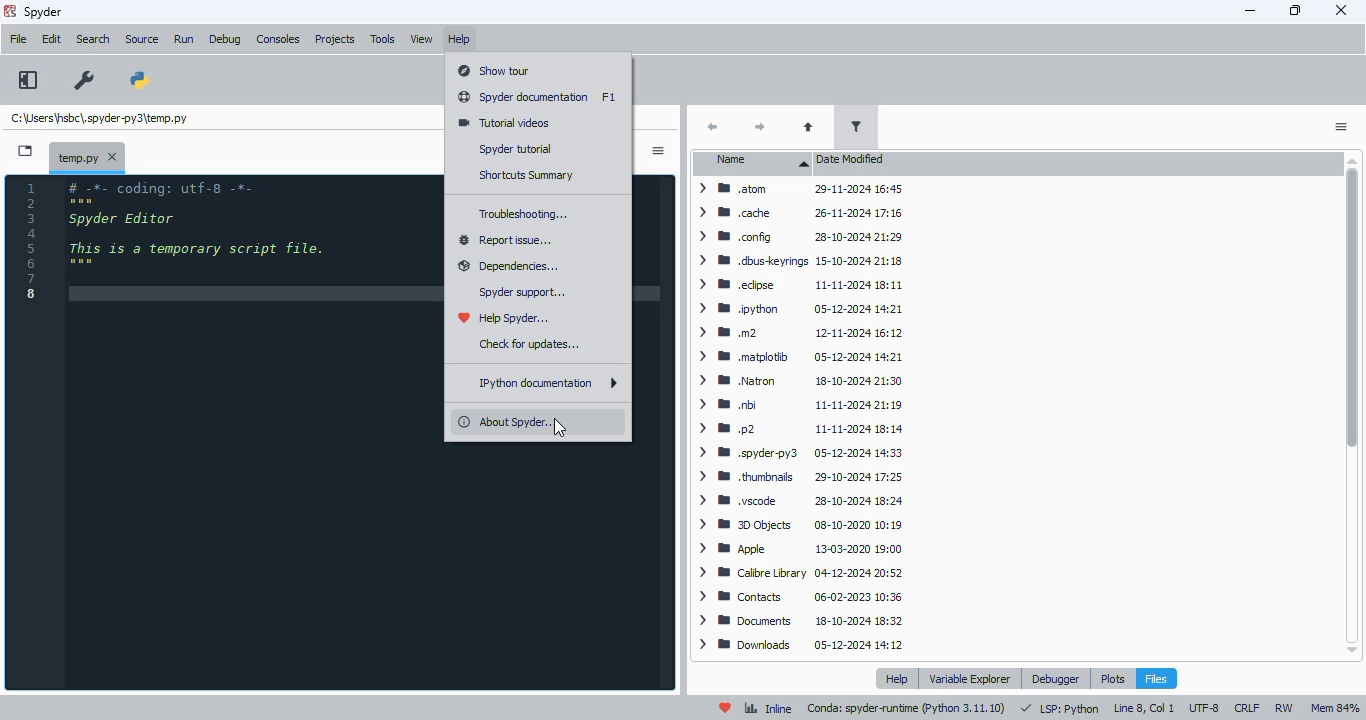 The width and height of the screenshot is (1366, 720). What do you see at coordinates (508, 266) in the screenshot?
I see `dependencies` at bounding box center [508, 266].